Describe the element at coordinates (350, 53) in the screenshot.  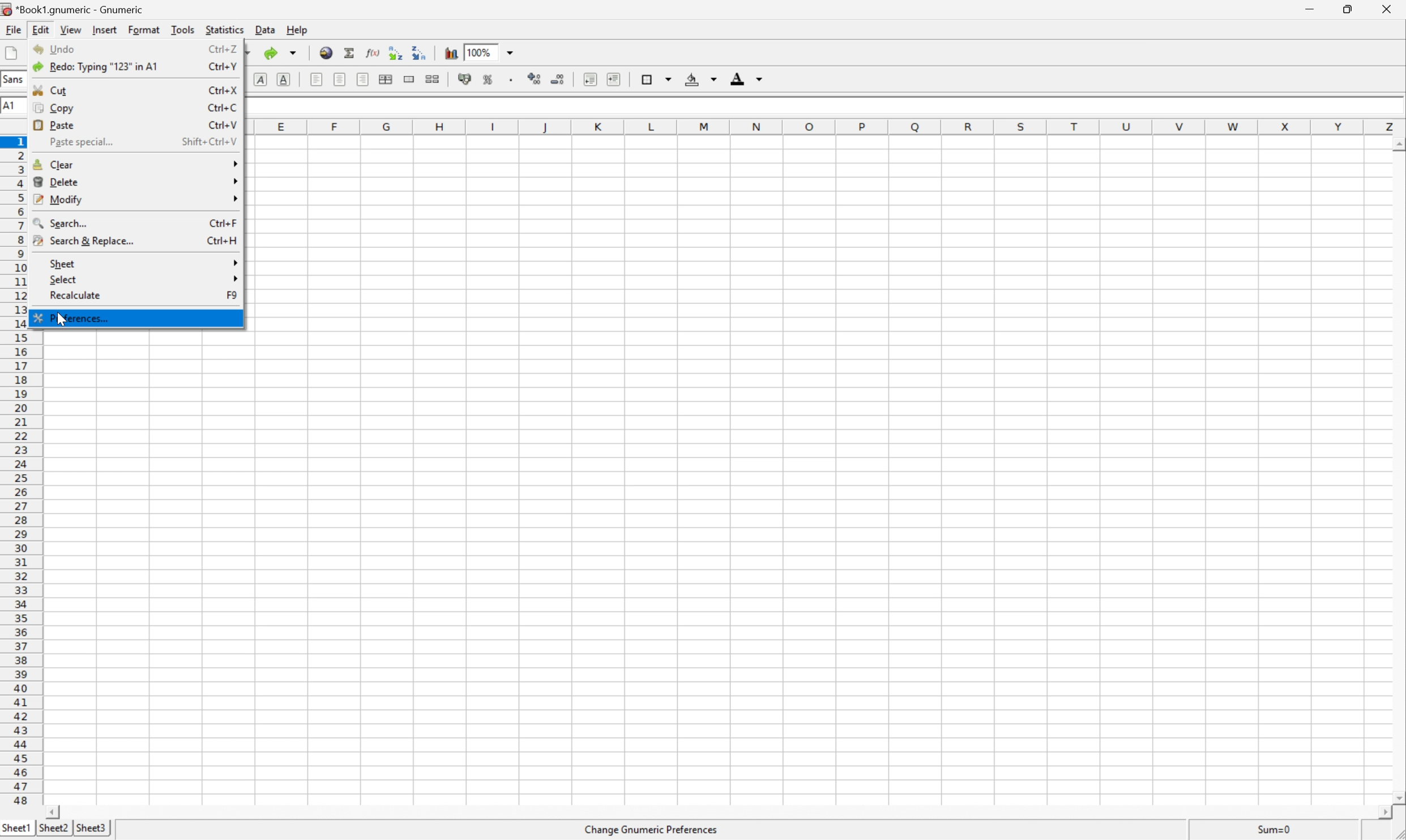
I see `sum in current cell` at that location.